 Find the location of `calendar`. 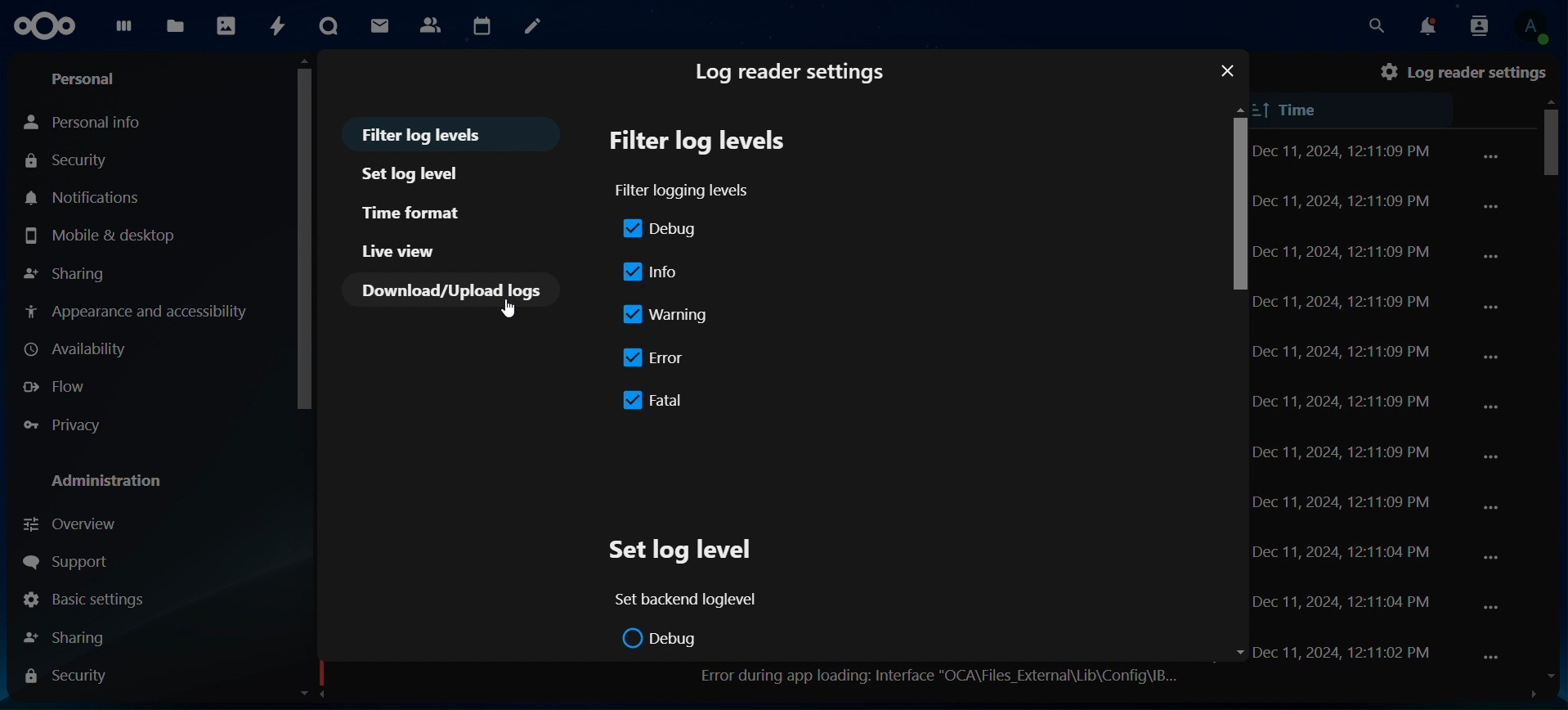

calendar is located at coordinates (482, 24).